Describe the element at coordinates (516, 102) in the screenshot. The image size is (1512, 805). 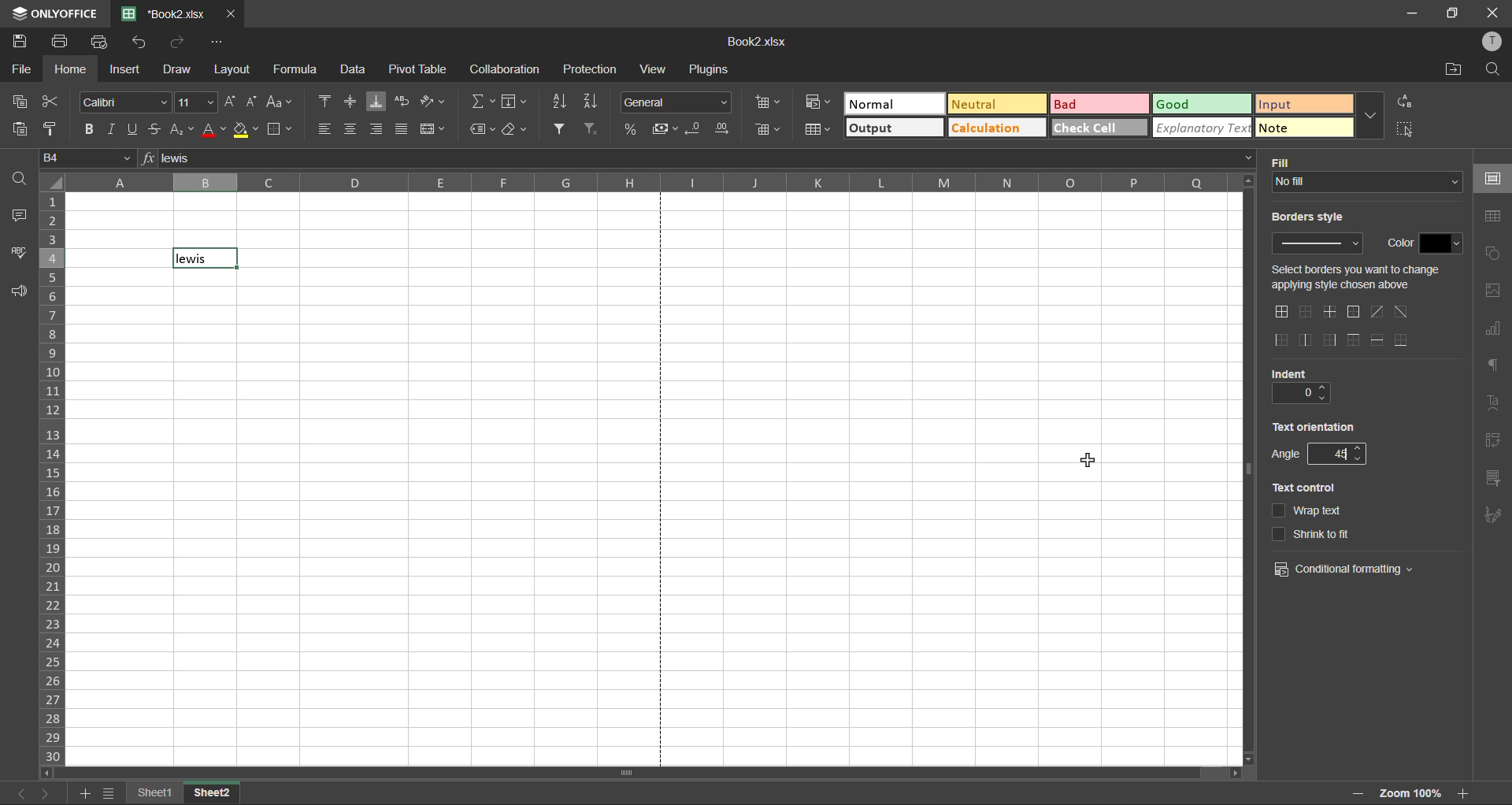
I see `fields` at that location.